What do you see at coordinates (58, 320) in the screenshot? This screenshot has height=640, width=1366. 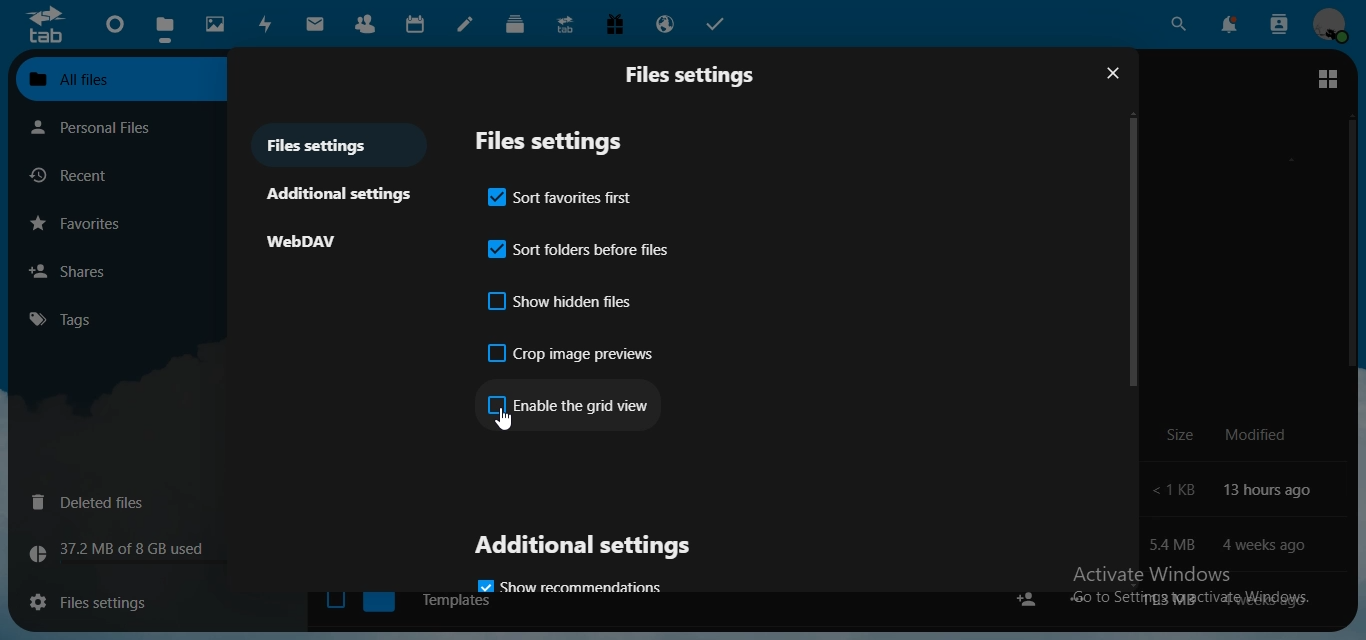 I see `tags` at bounding box center [58, 320].